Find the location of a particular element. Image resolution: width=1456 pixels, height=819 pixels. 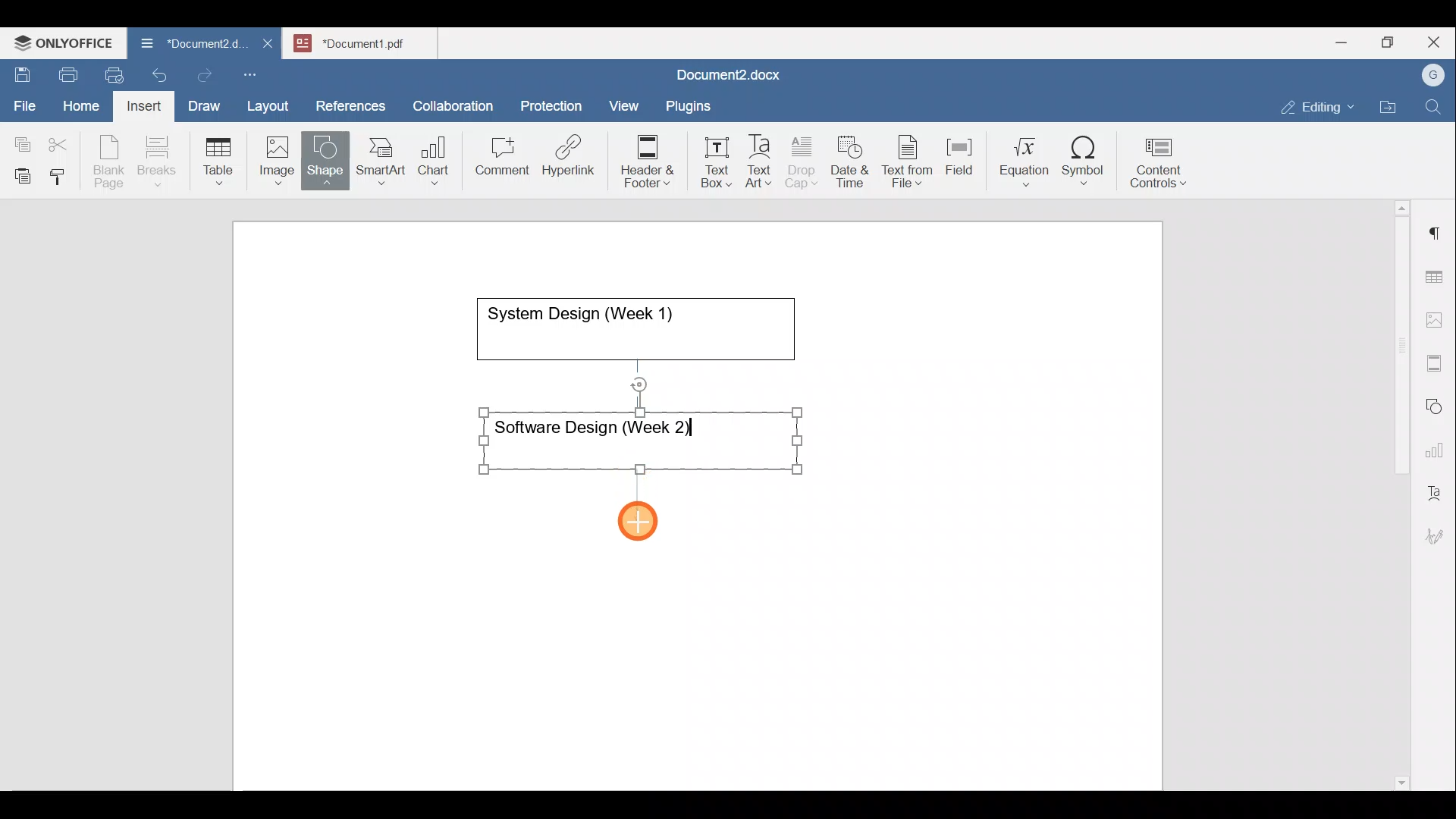

Table settings is located at coordinates (1437, 275).